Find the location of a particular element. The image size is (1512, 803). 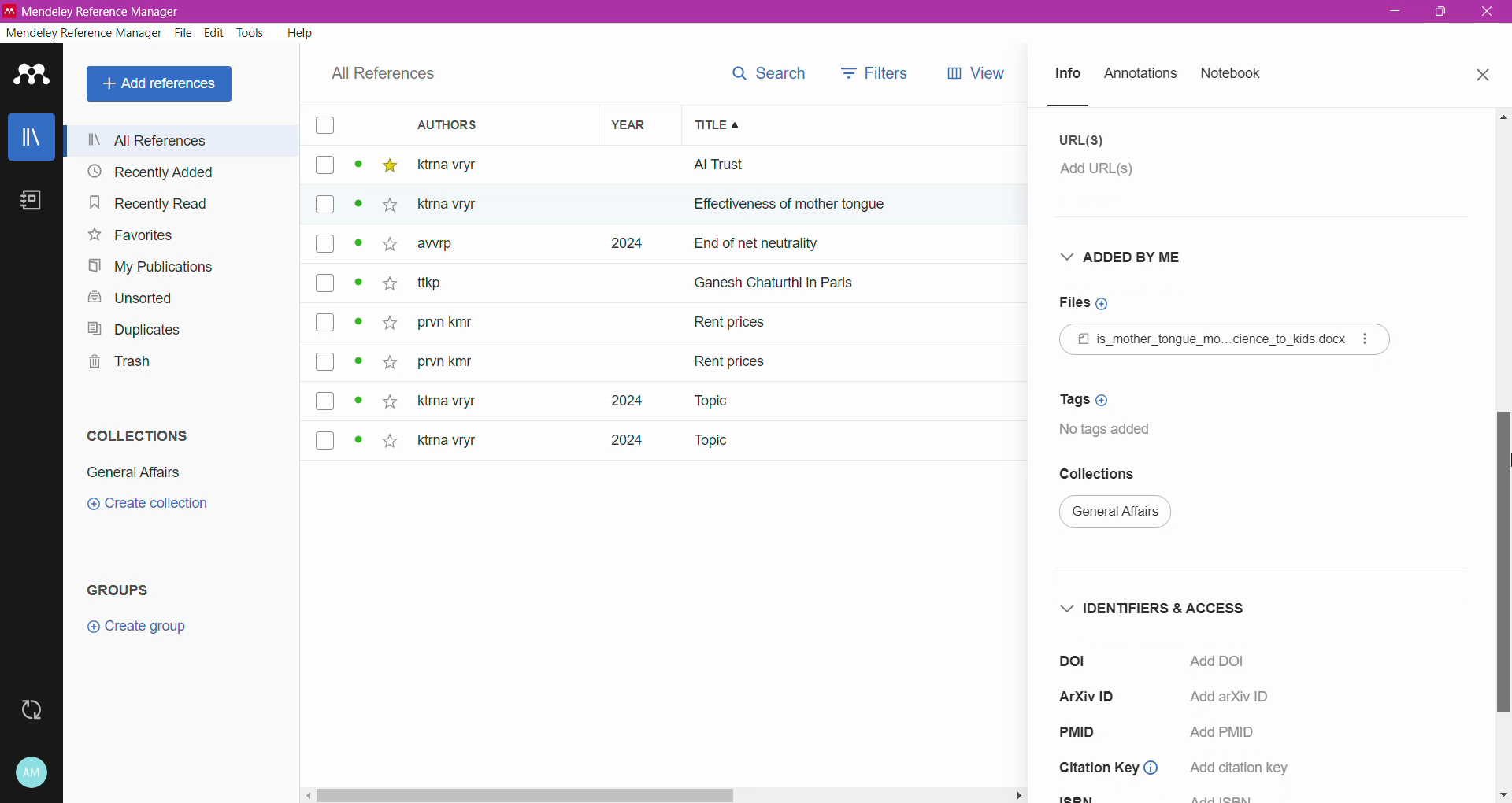

 is located at coordinates (458, 205).